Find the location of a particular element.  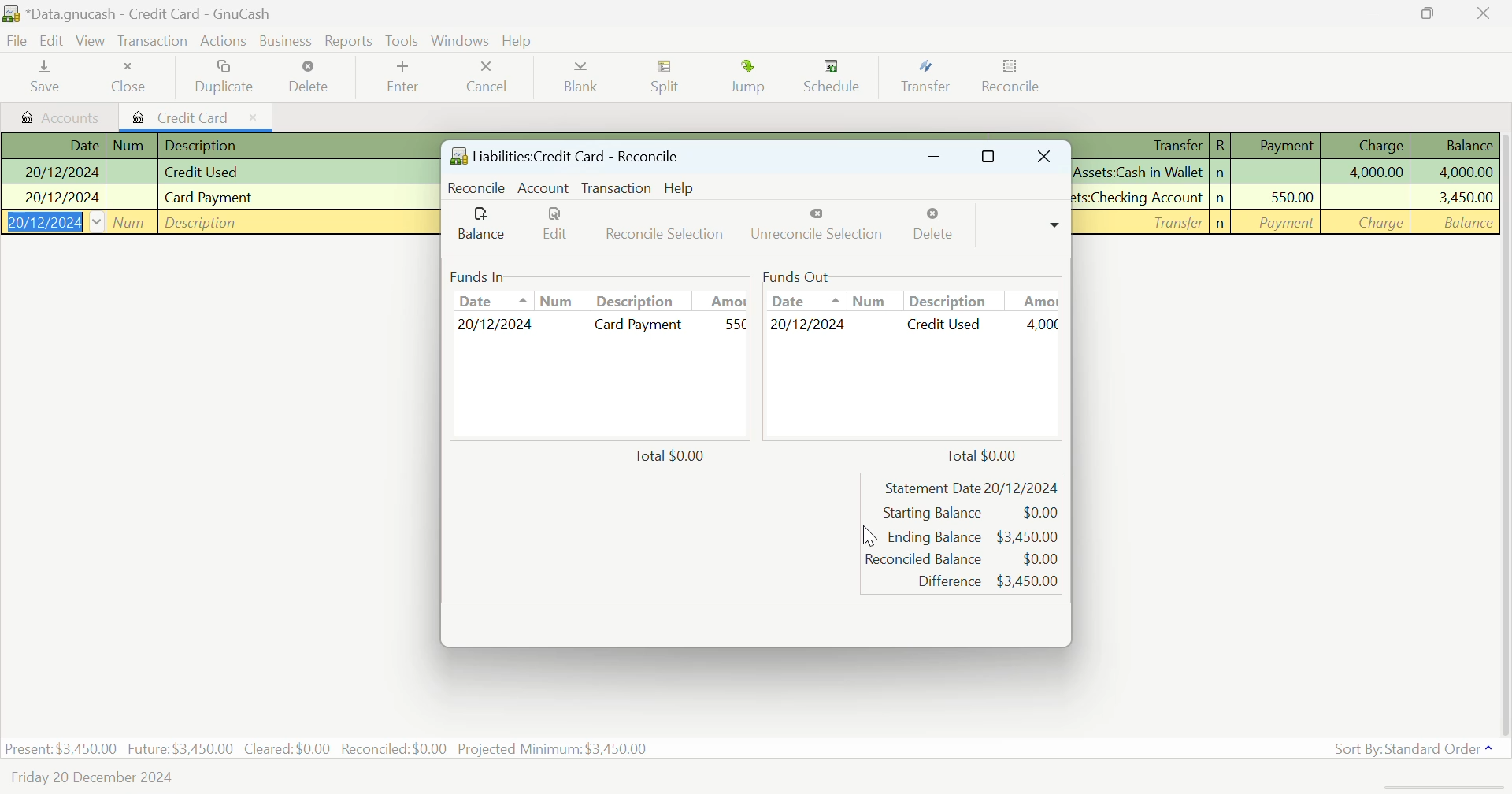

Edit  is located at coordinates (547, 228).